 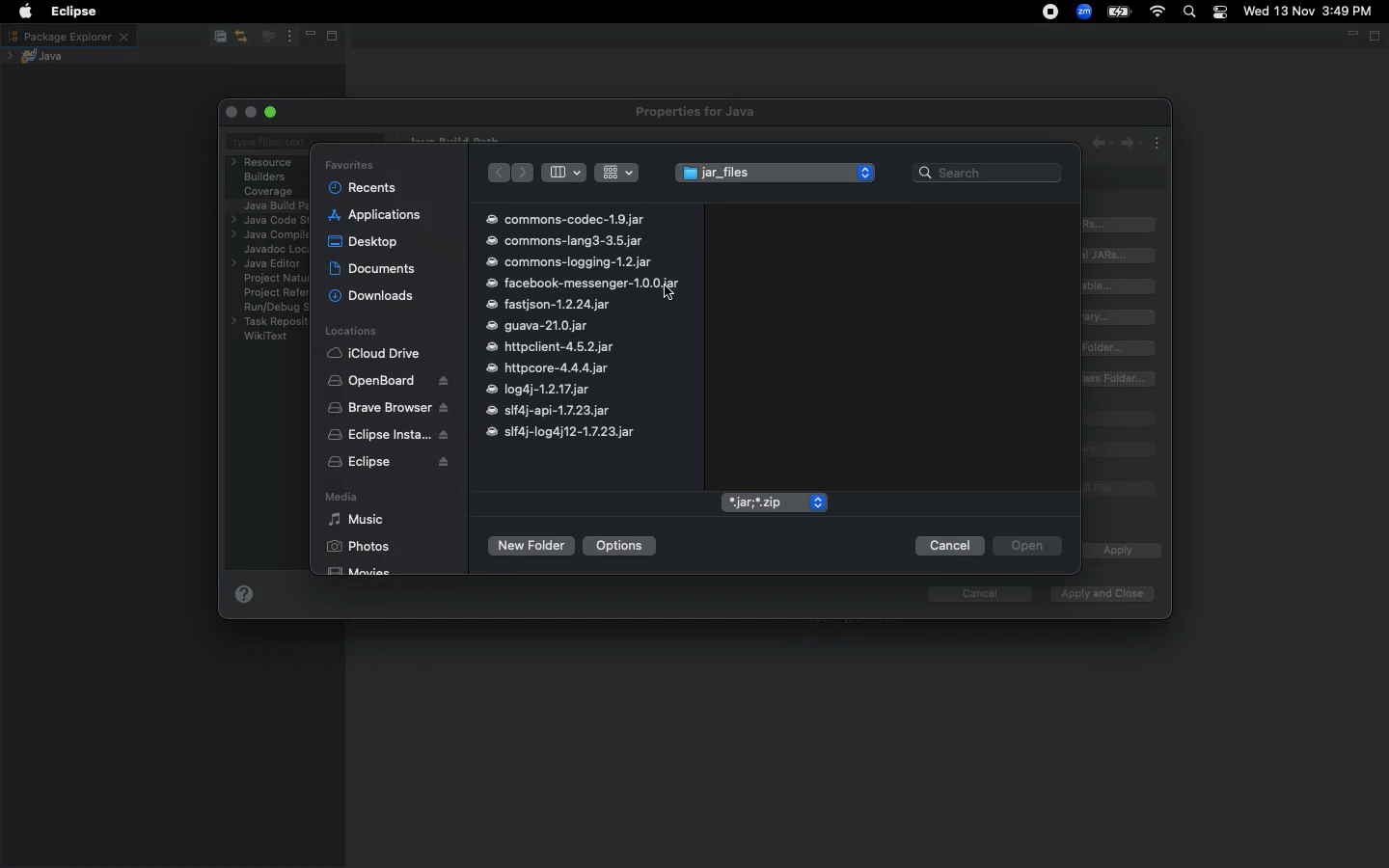 I want to click on Music, so click(x=356, y=520).